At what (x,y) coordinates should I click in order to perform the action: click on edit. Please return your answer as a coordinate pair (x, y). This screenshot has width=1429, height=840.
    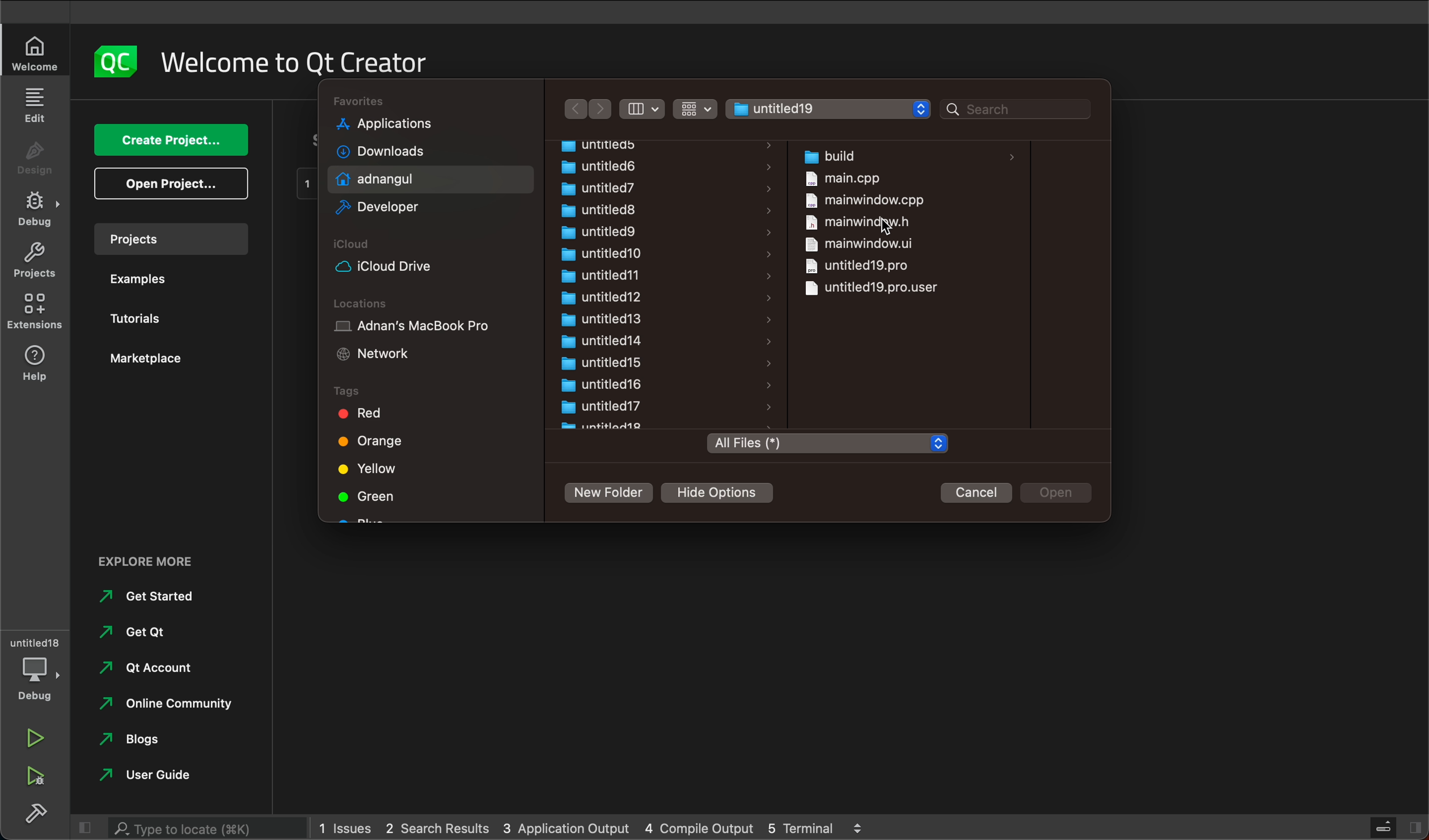
    Looking at the image, I should click on (36, 103).